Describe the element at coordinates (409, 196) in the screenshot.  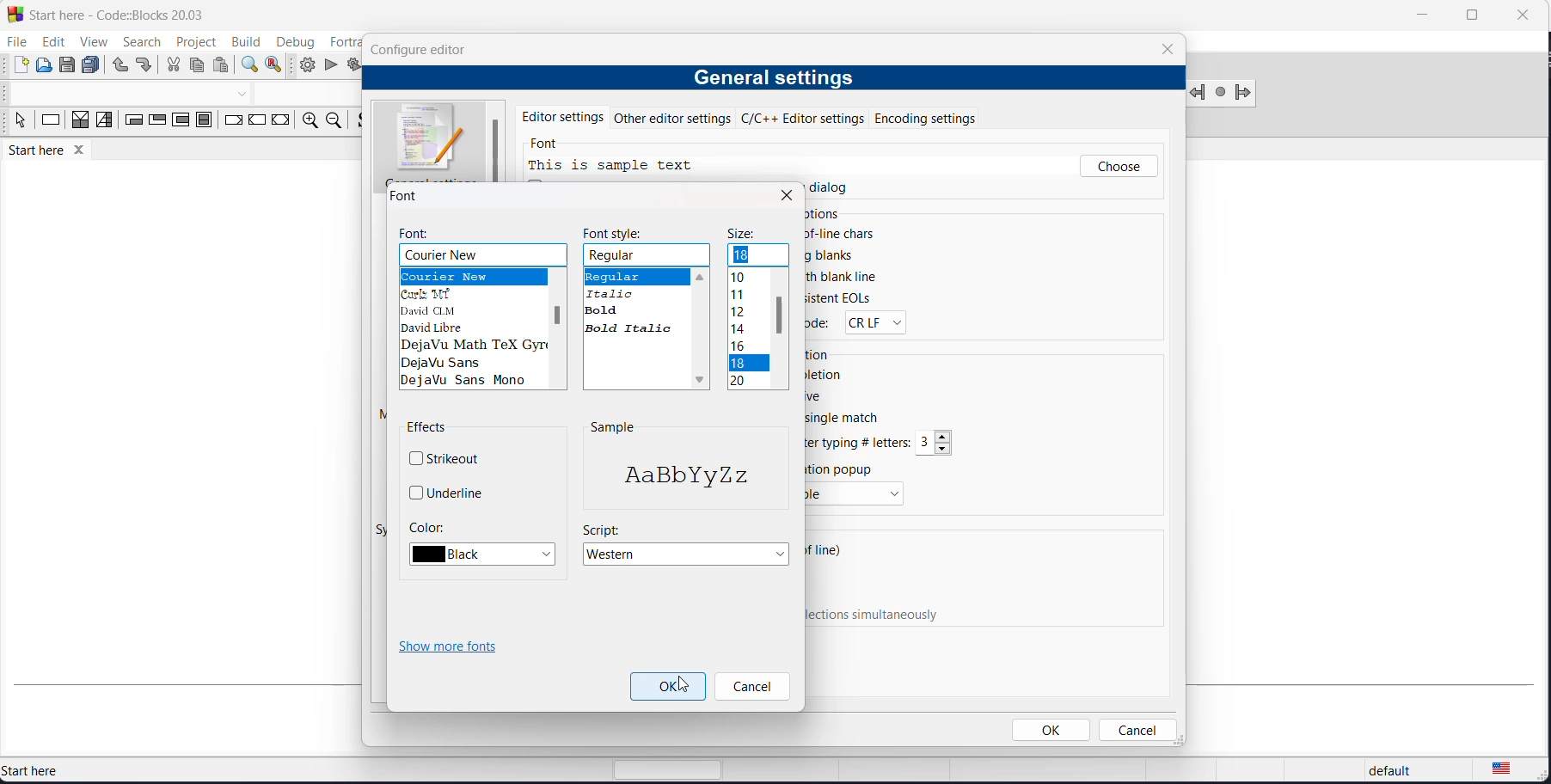
I see `font dialog box` at that location.